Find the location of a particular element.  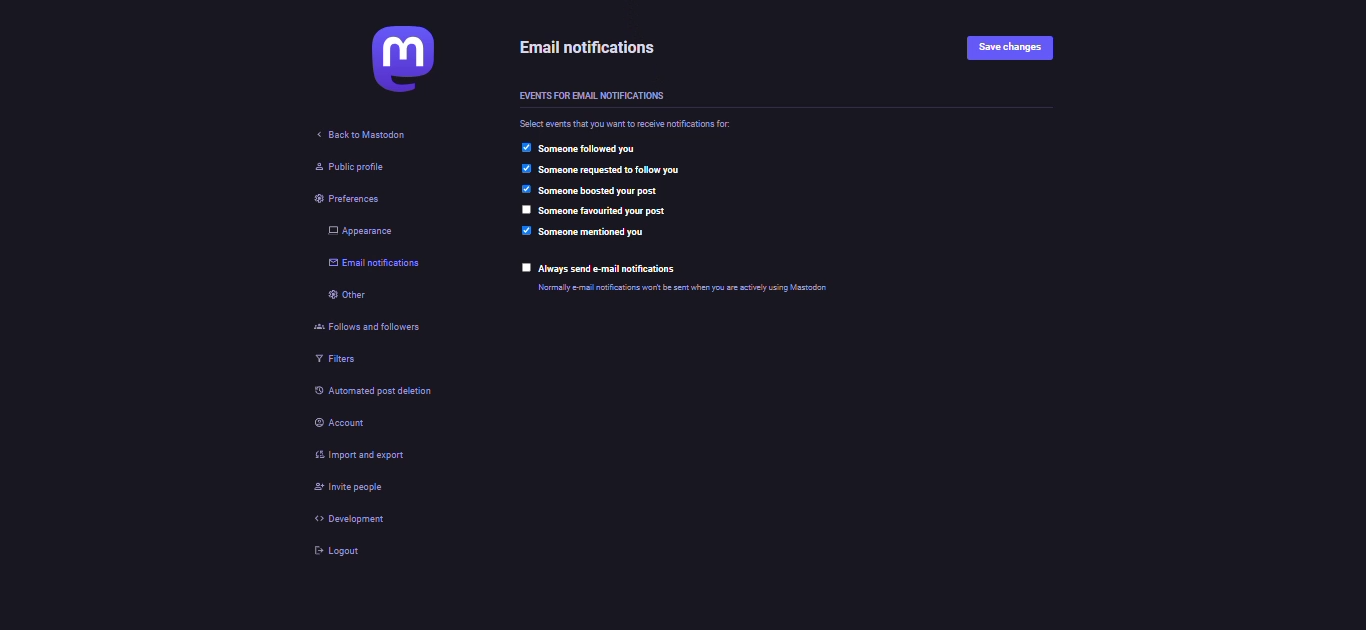

select events is located at coordinates (630, 125).